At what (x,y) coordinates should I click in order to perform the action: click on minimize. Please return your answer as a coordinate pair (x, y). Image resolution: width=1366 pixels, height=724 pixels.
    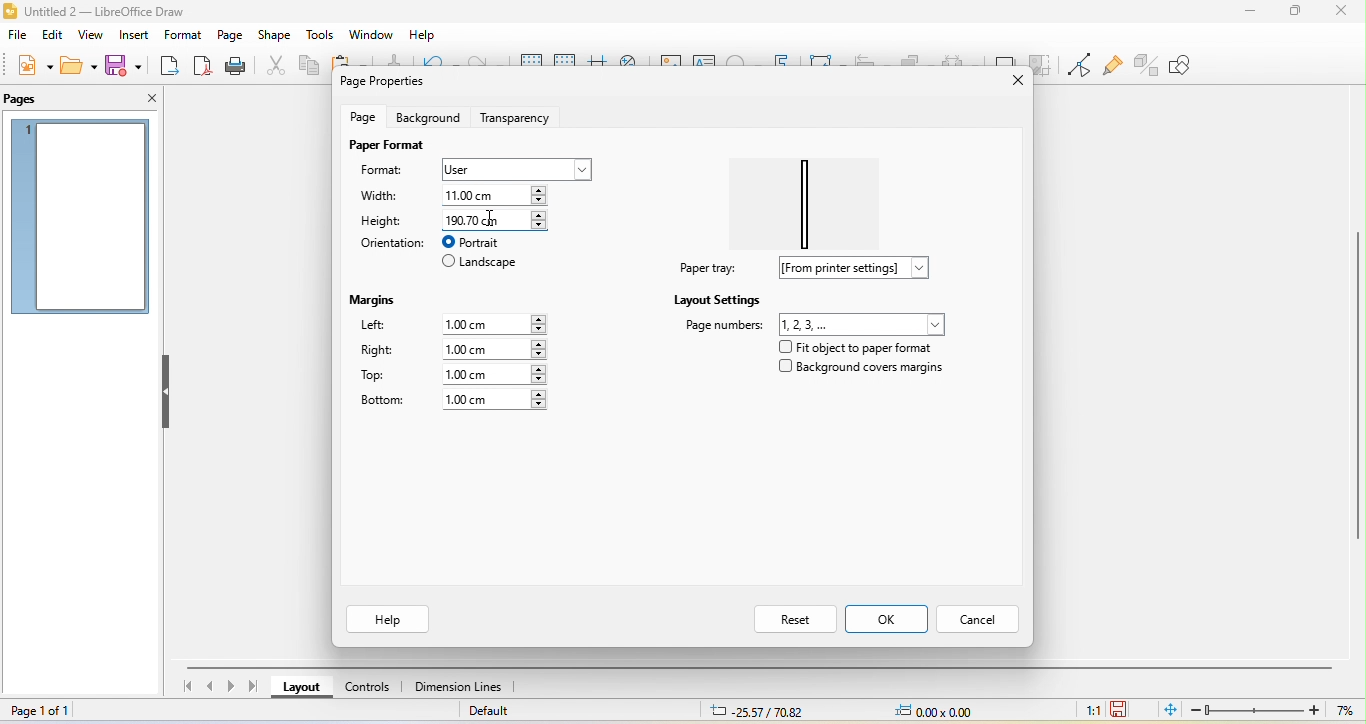
    Looking at the image, I should click on (1251, 10).